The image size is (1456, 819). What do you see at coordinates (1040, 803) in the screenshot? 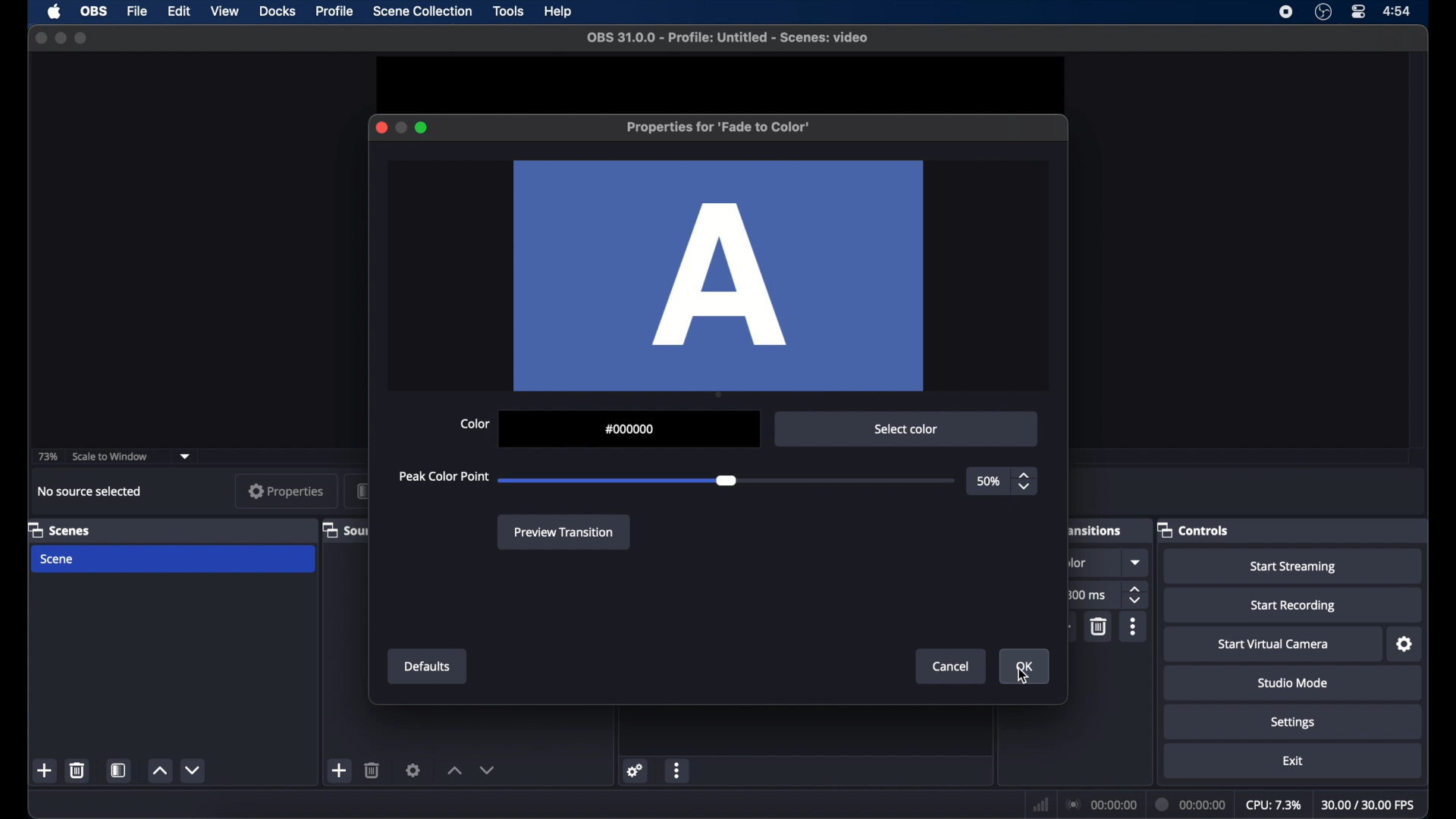
I see `network` at bounding box center [1040, 803].